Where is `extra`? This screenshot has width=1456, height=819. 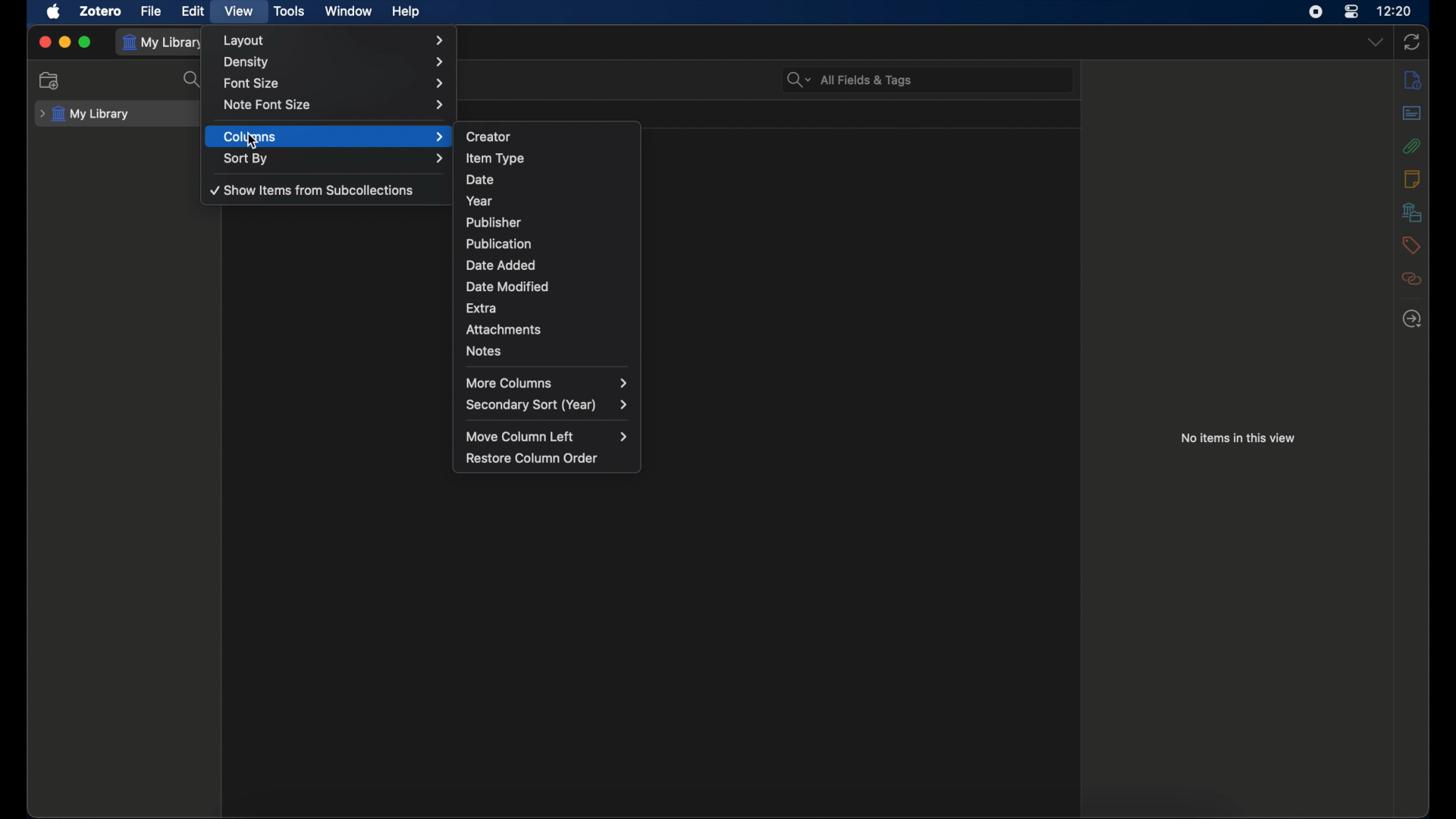
extra is located at coordinates (482, 307).